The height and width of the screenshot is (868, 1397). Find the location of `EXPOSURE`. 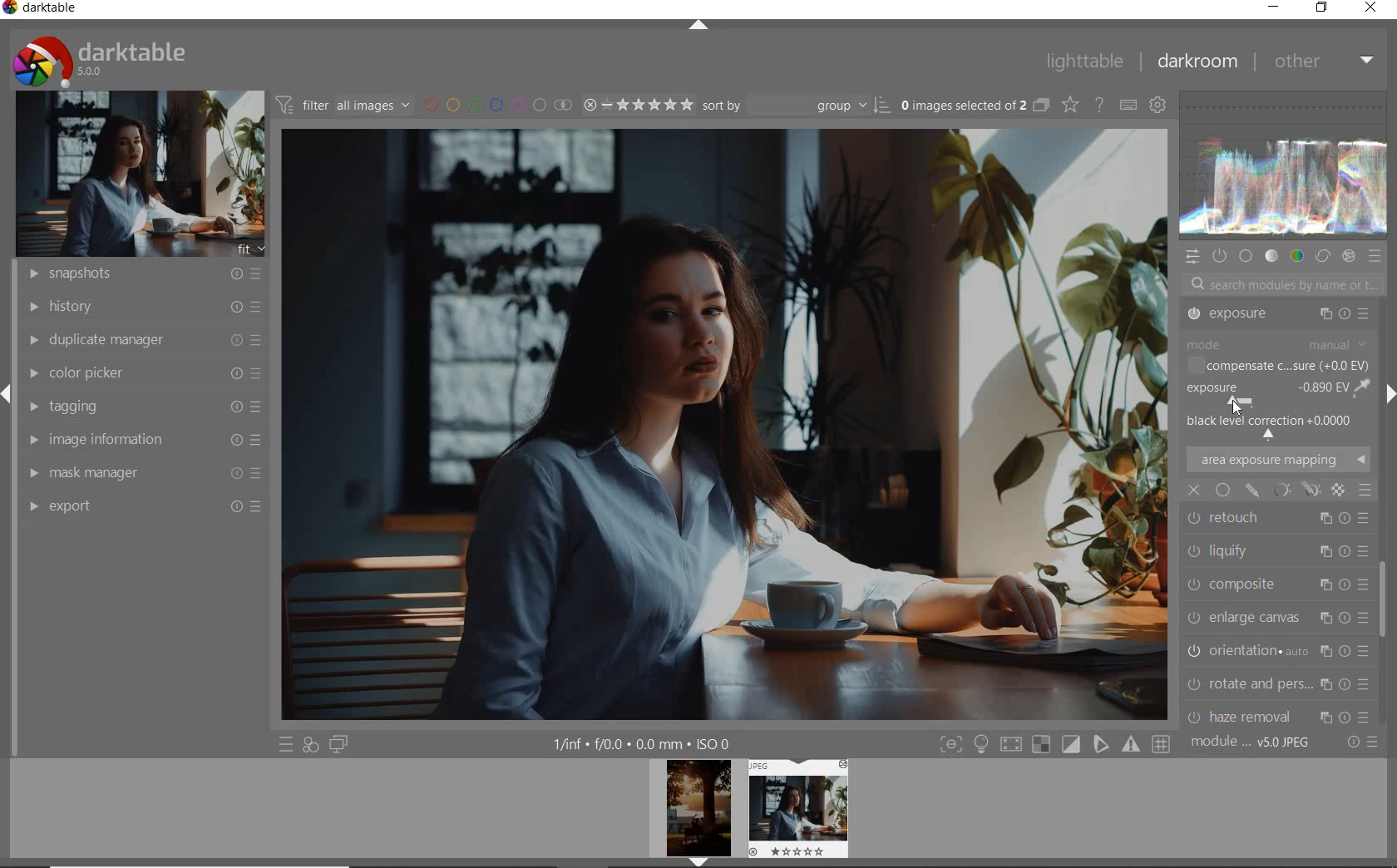

EXPOSURE is located at coordinates (1276, 385).